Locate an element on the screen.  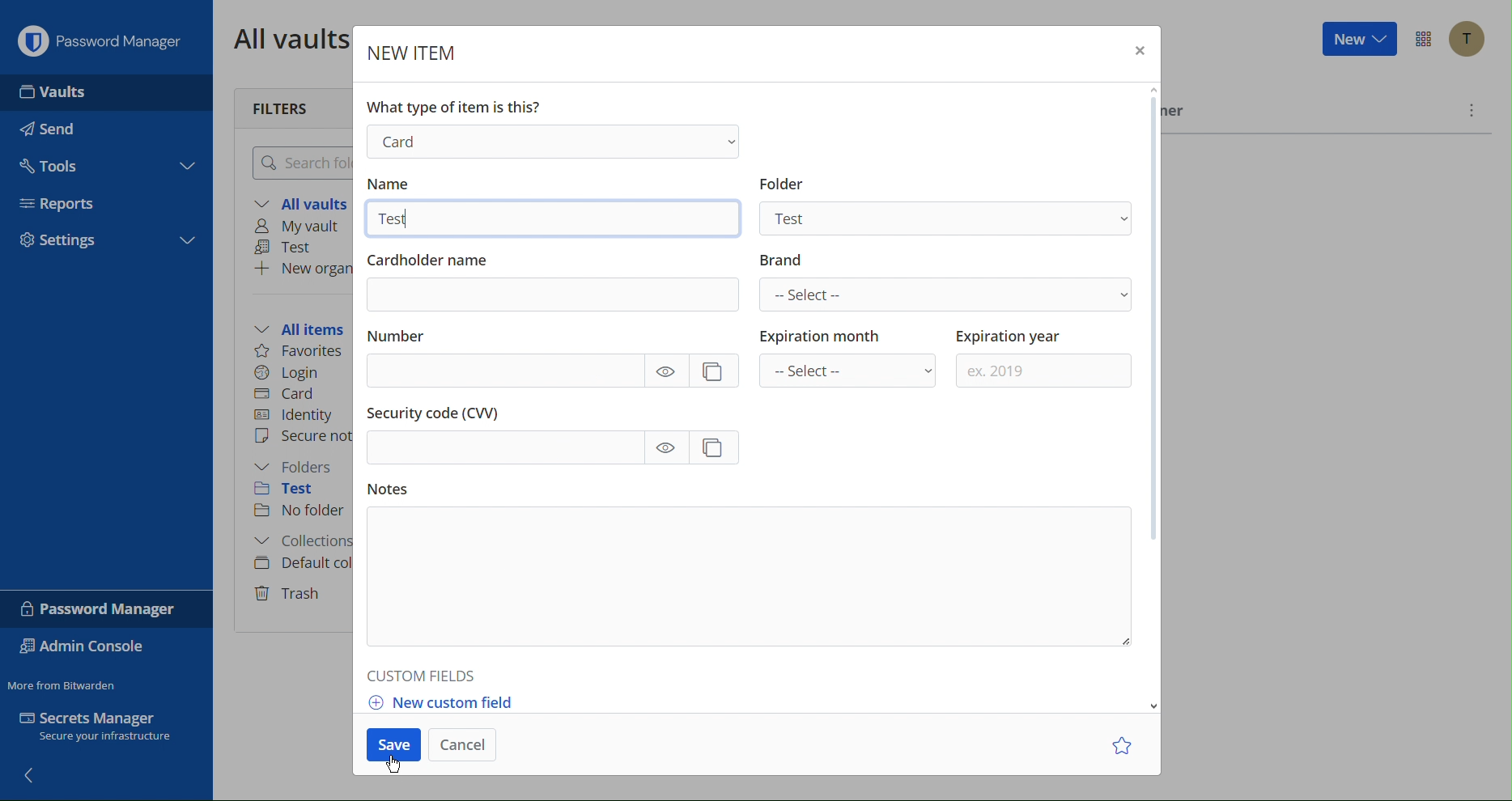
Password Manager is located at coordinates (110, 42).